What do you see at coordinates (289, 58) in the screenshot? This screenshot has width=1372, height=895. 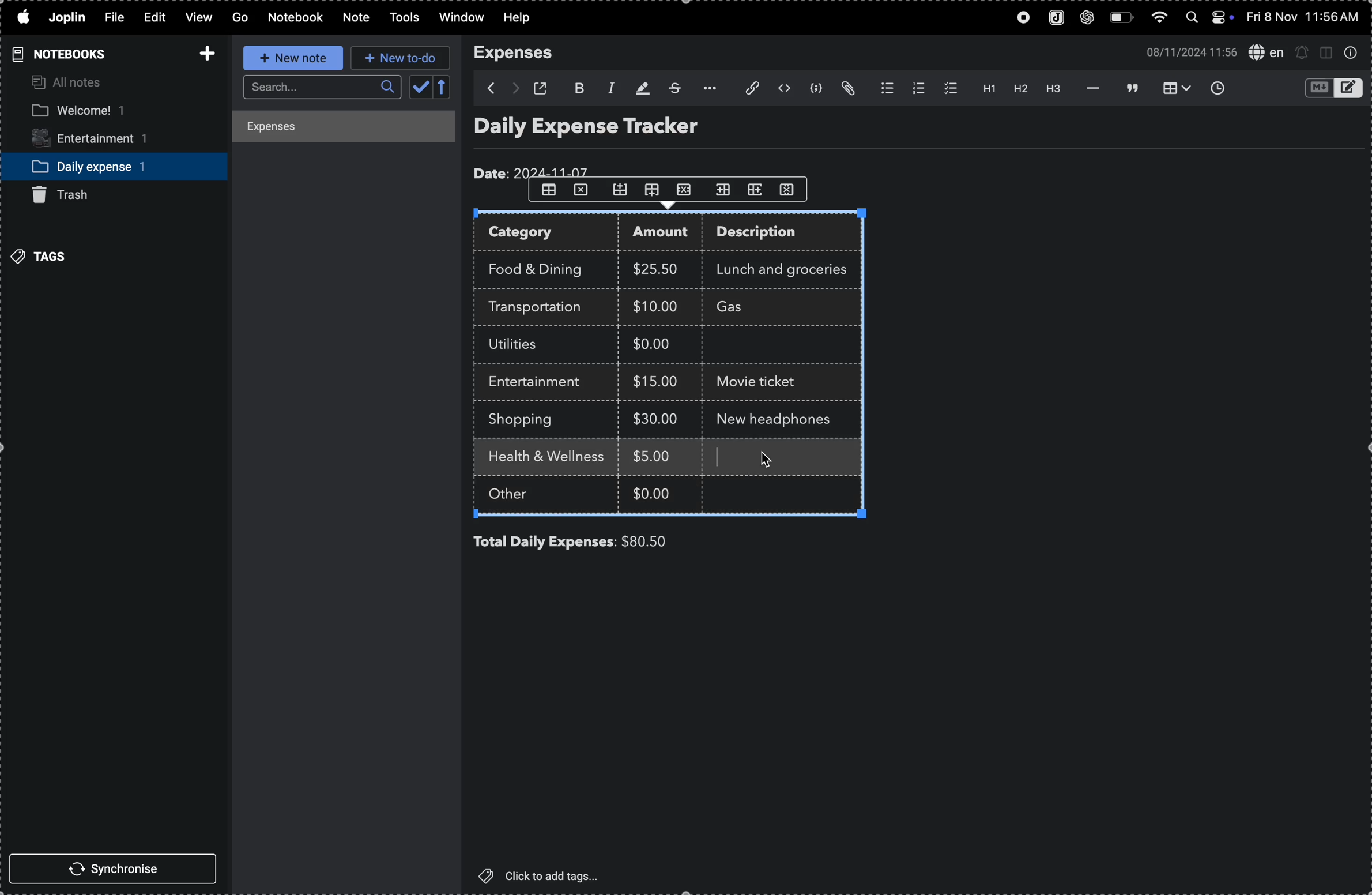 I see `new note` at bounding box center [289, 58].